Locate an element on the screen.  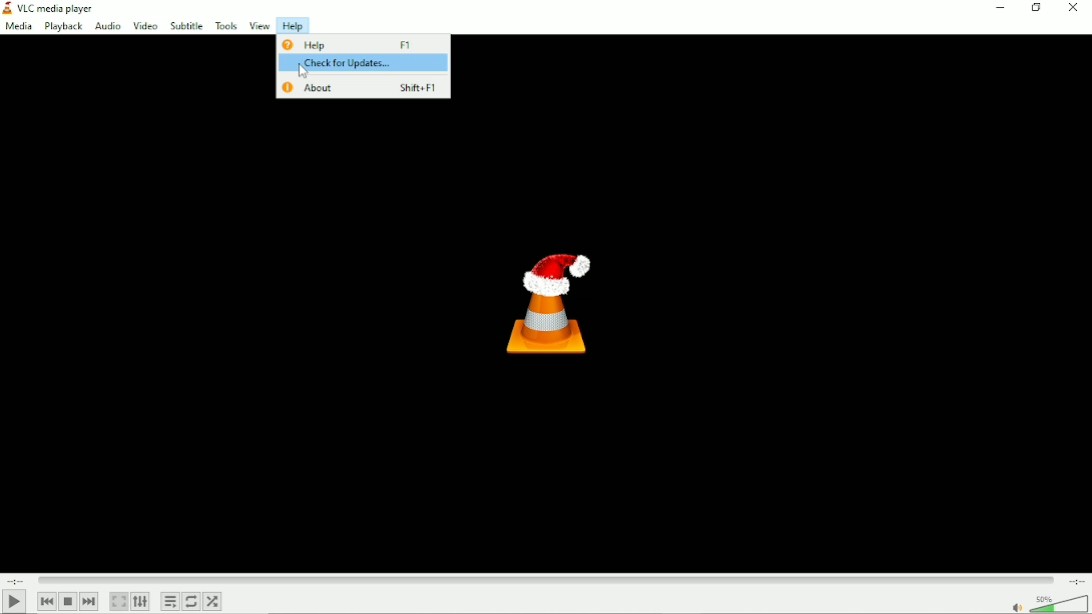
VLC media player is located at coordinates (59, 9).